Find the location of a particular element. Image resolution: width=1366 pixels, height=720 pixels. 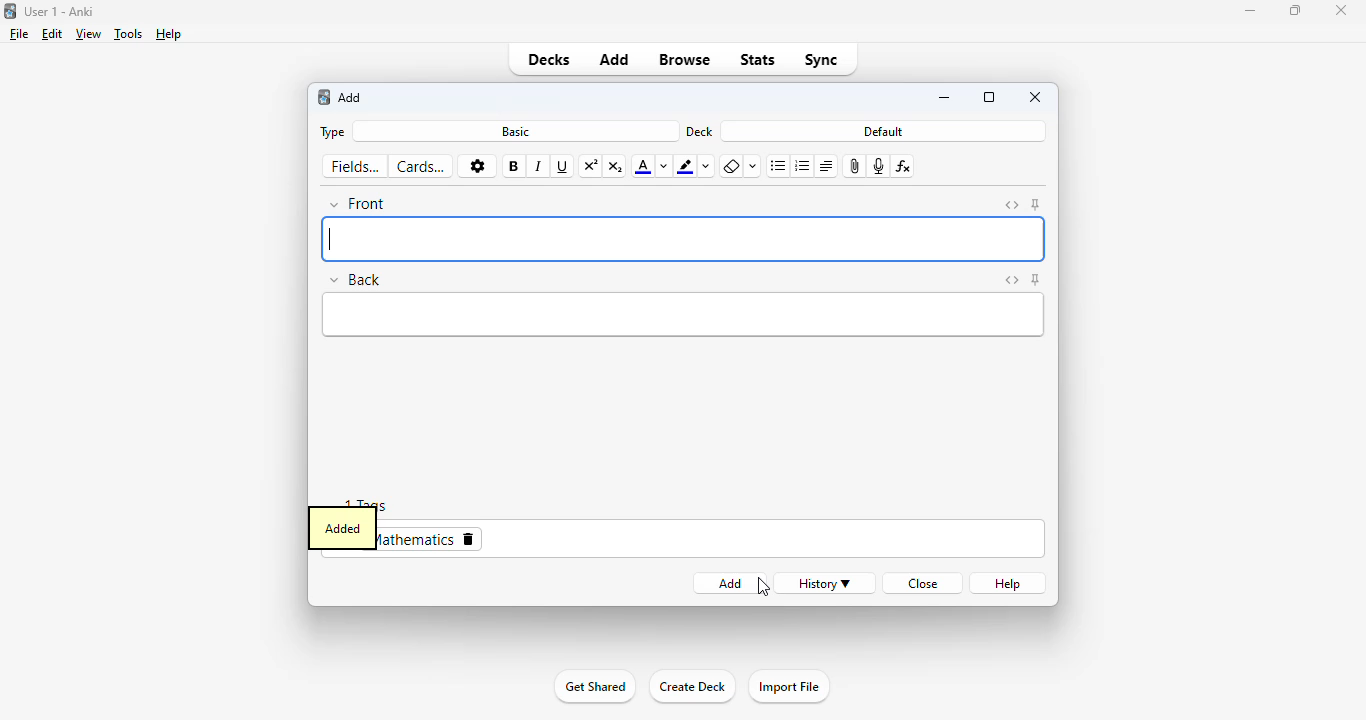

mathematics is located at coordinates (417, 539).